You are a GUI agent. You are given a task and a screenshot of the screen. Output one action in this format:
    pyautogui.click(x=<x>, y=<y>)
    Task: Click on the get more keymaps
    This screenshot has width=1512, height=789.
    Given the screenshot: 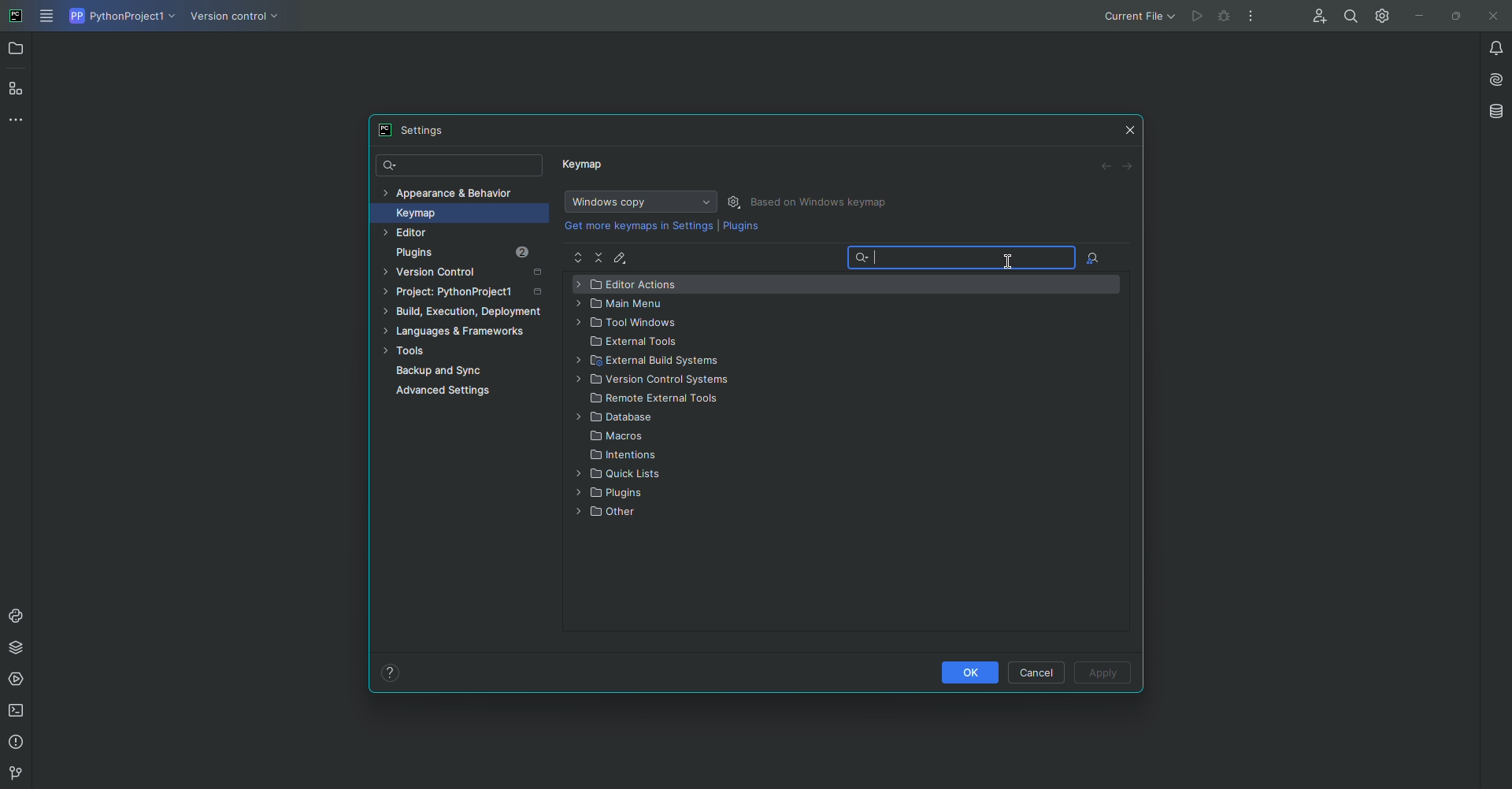 What is the action you would take?
    pyautogui.click(x=640, y=225)
    